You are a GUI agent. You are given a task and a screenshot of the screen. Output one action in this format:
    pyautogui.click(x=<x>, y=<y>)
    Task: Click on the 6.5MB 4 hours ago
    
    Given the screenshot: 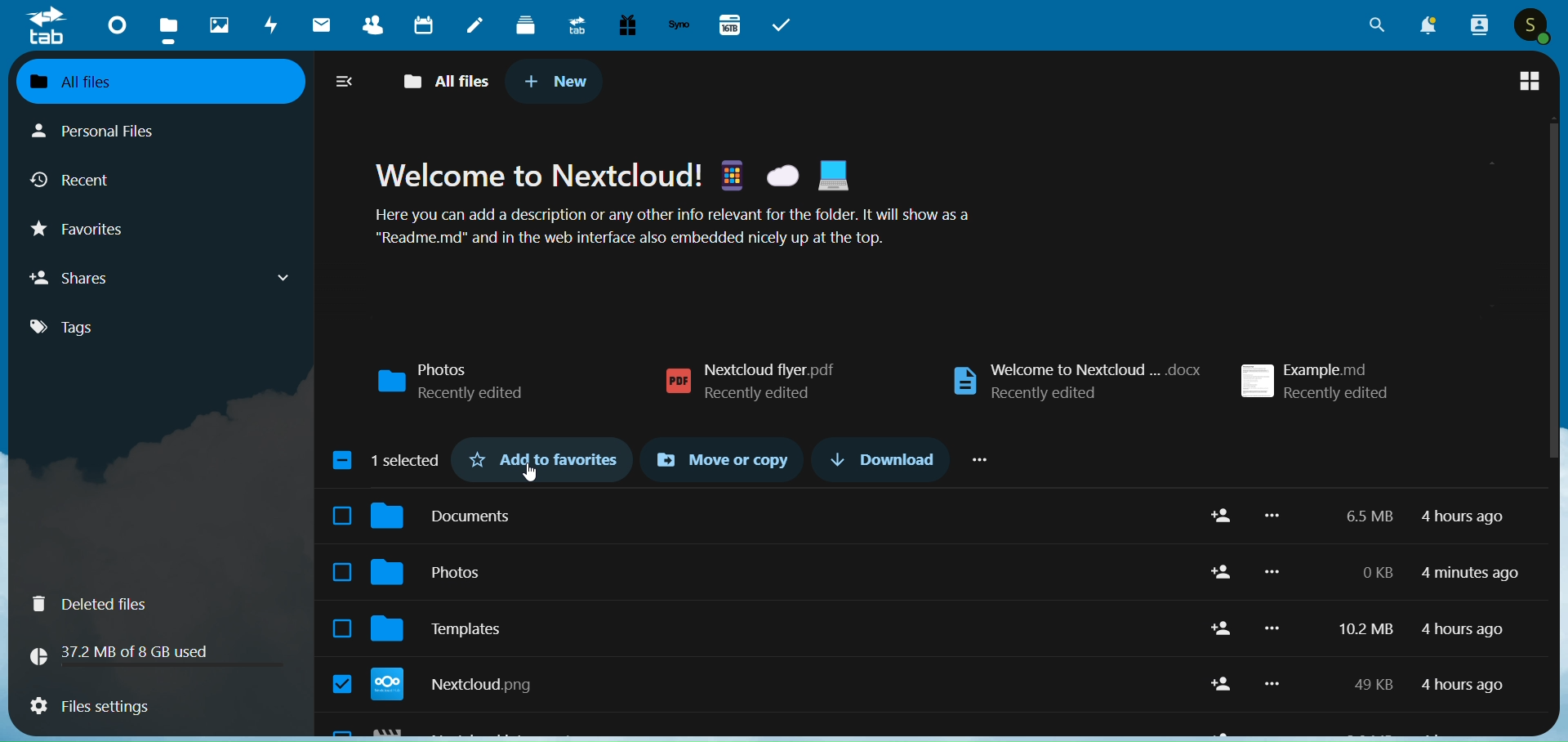 What is the action you would take?
    pyautogui.click(x=1424, y=516)
    